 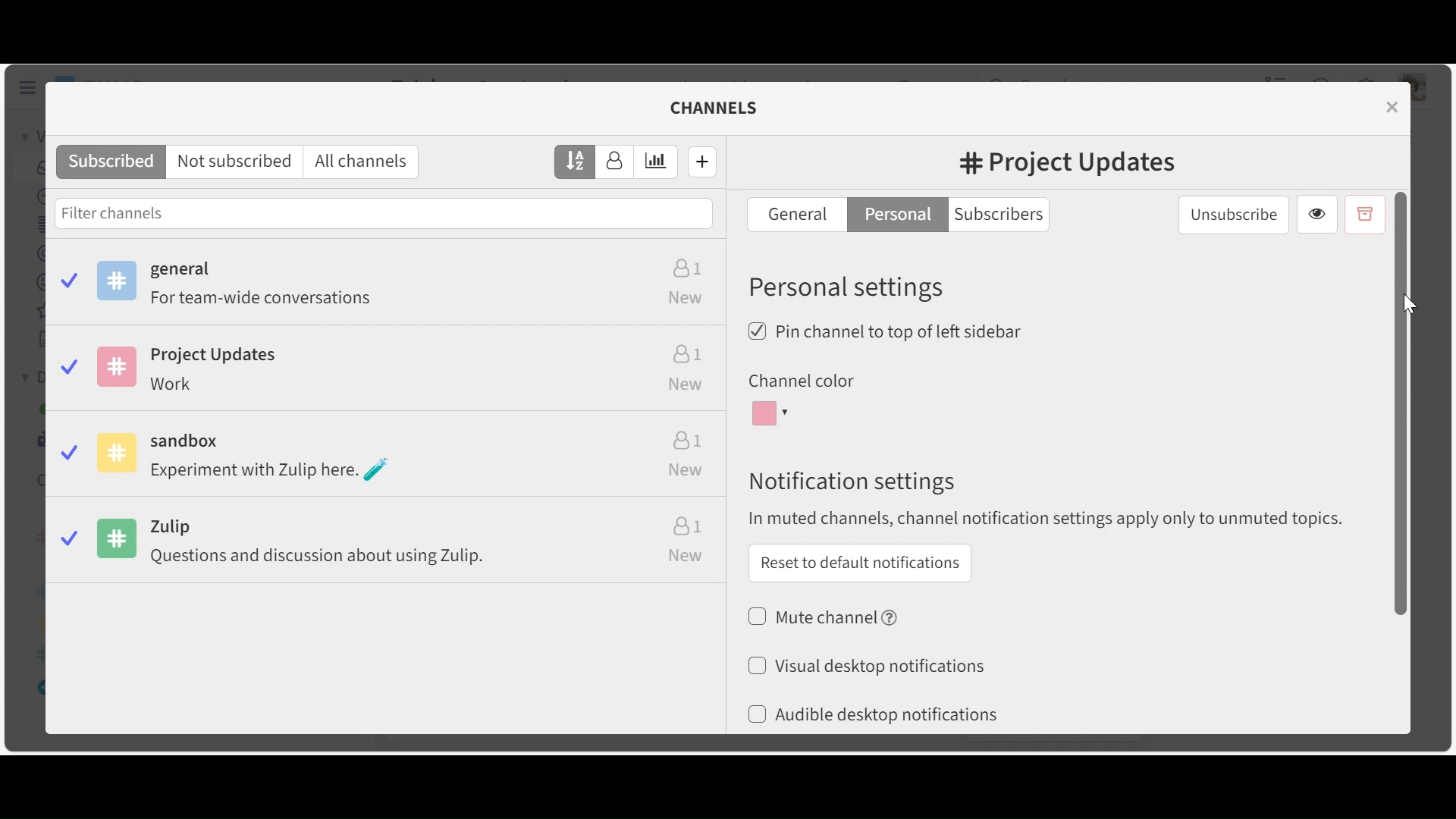 What do you see at coordinates (826, 617) in the screenshot?
I see `(un)select muted channel` at bounding box center [826, 617].